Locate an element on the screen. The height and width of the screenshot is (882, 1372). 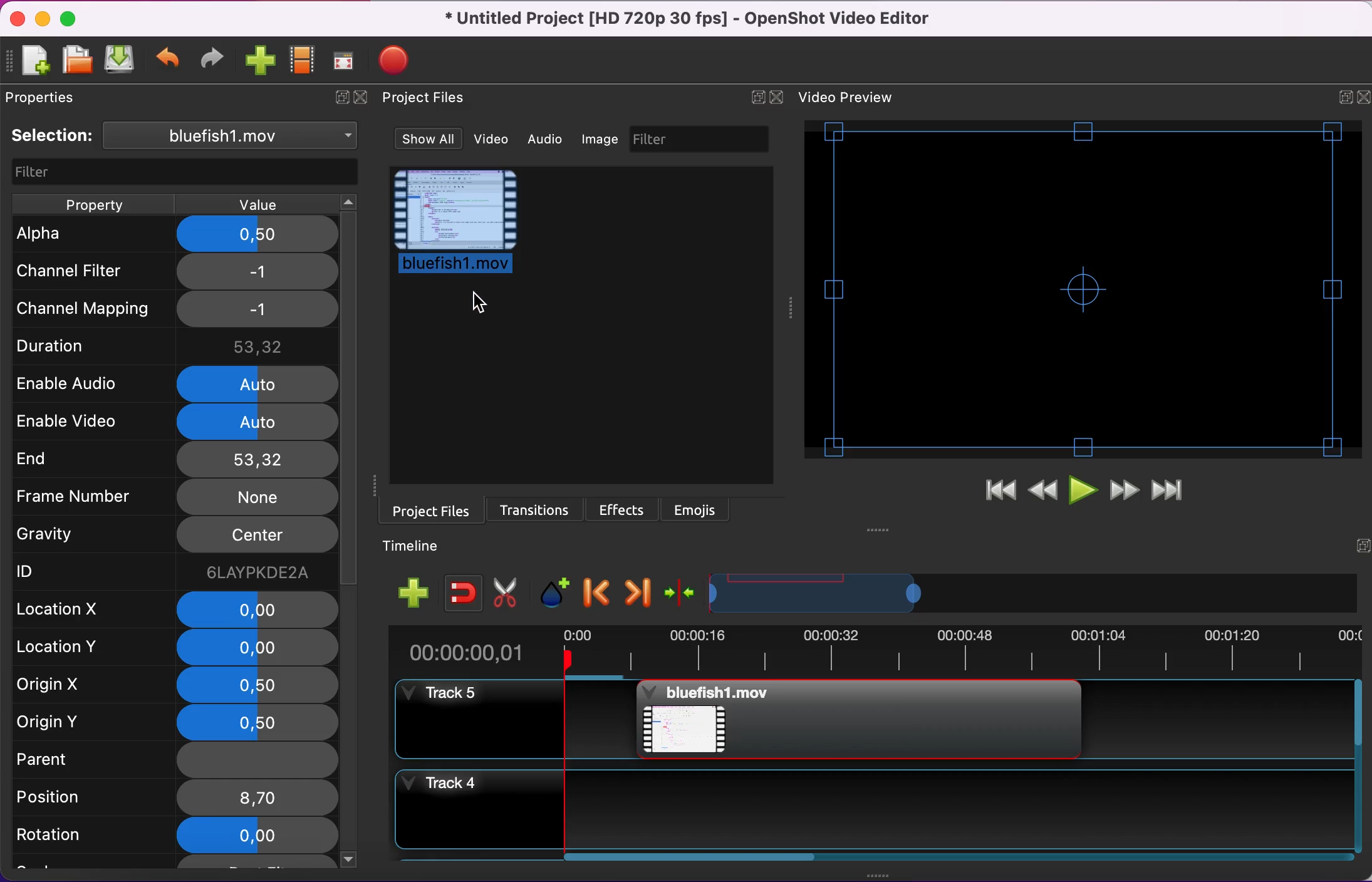
undo is located at coordinates (167, 63).